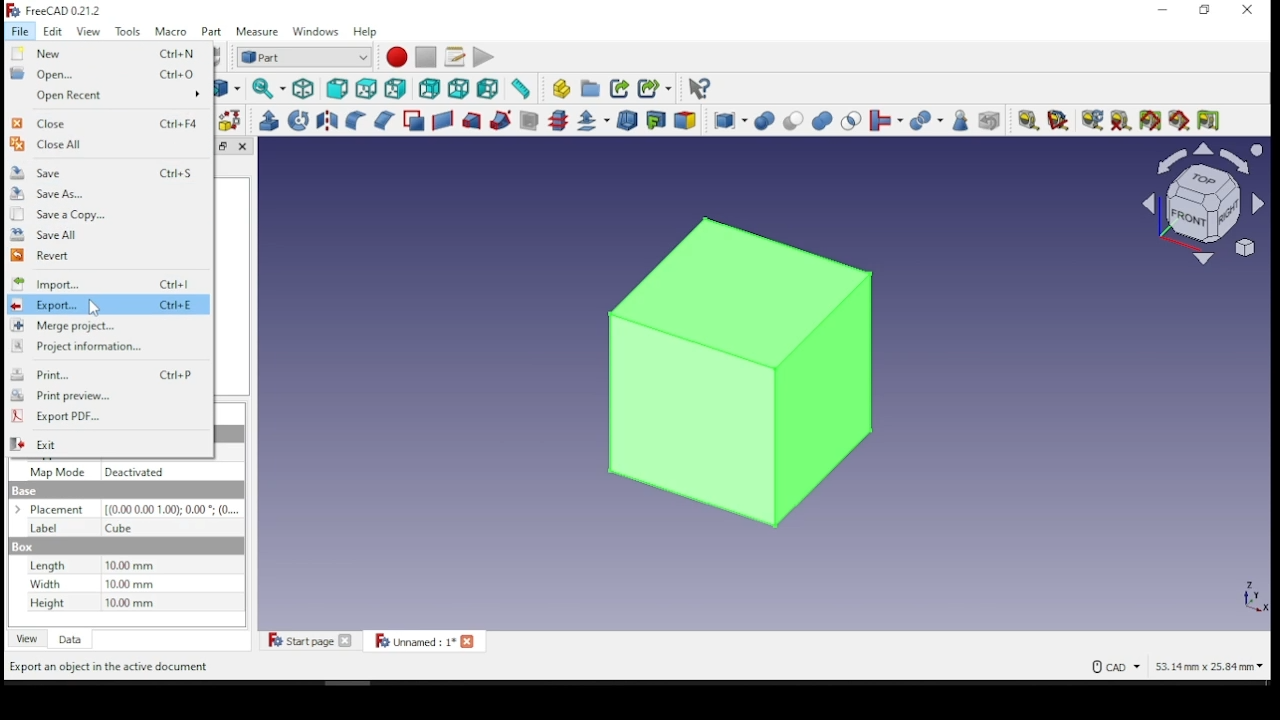 Image resolution: width=1280 pixels, height=720 pixels. I want to click on measure linear, so click(1029, 120).